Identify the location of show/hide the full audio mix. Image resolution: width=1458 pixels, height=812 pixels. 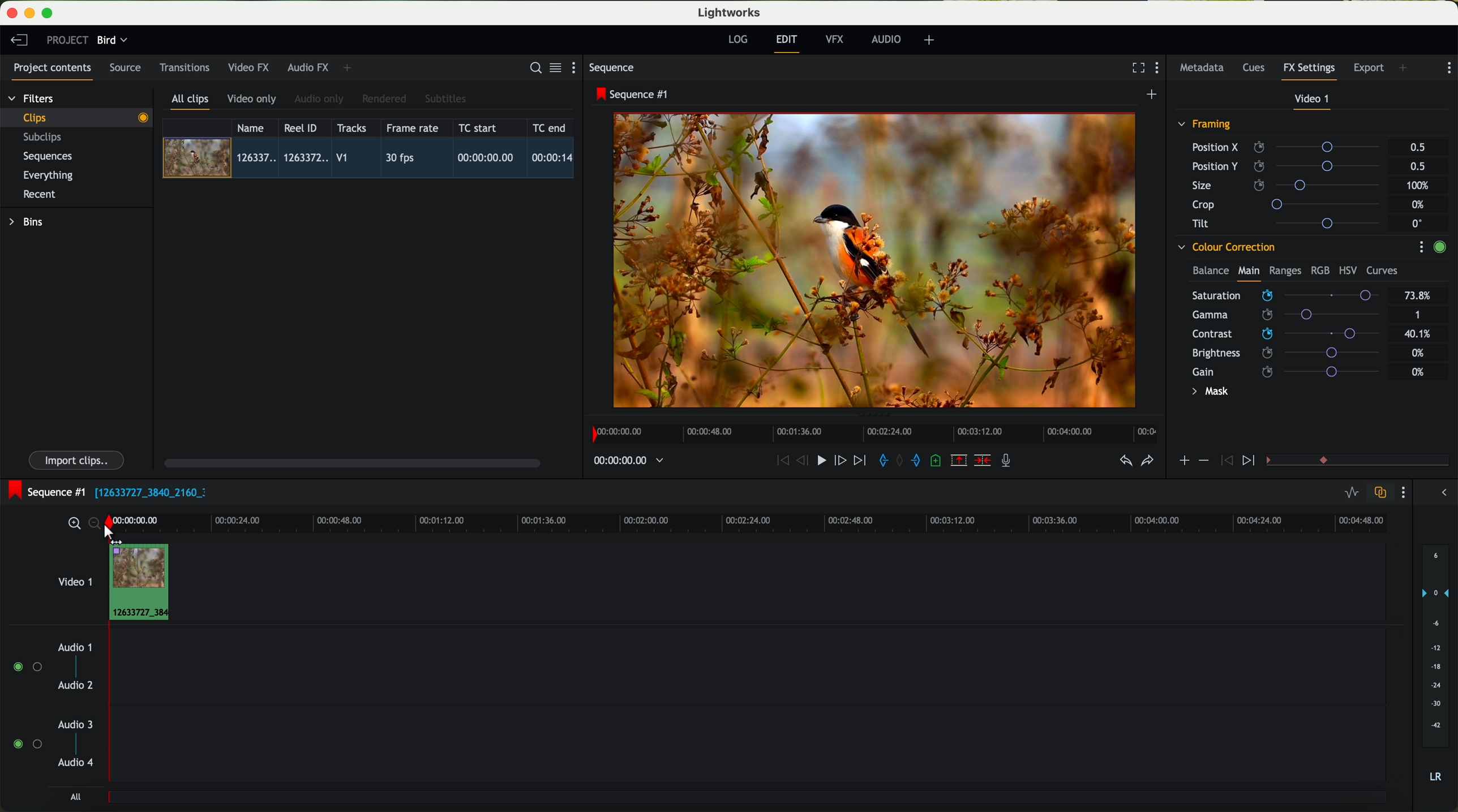
(1440, 493).